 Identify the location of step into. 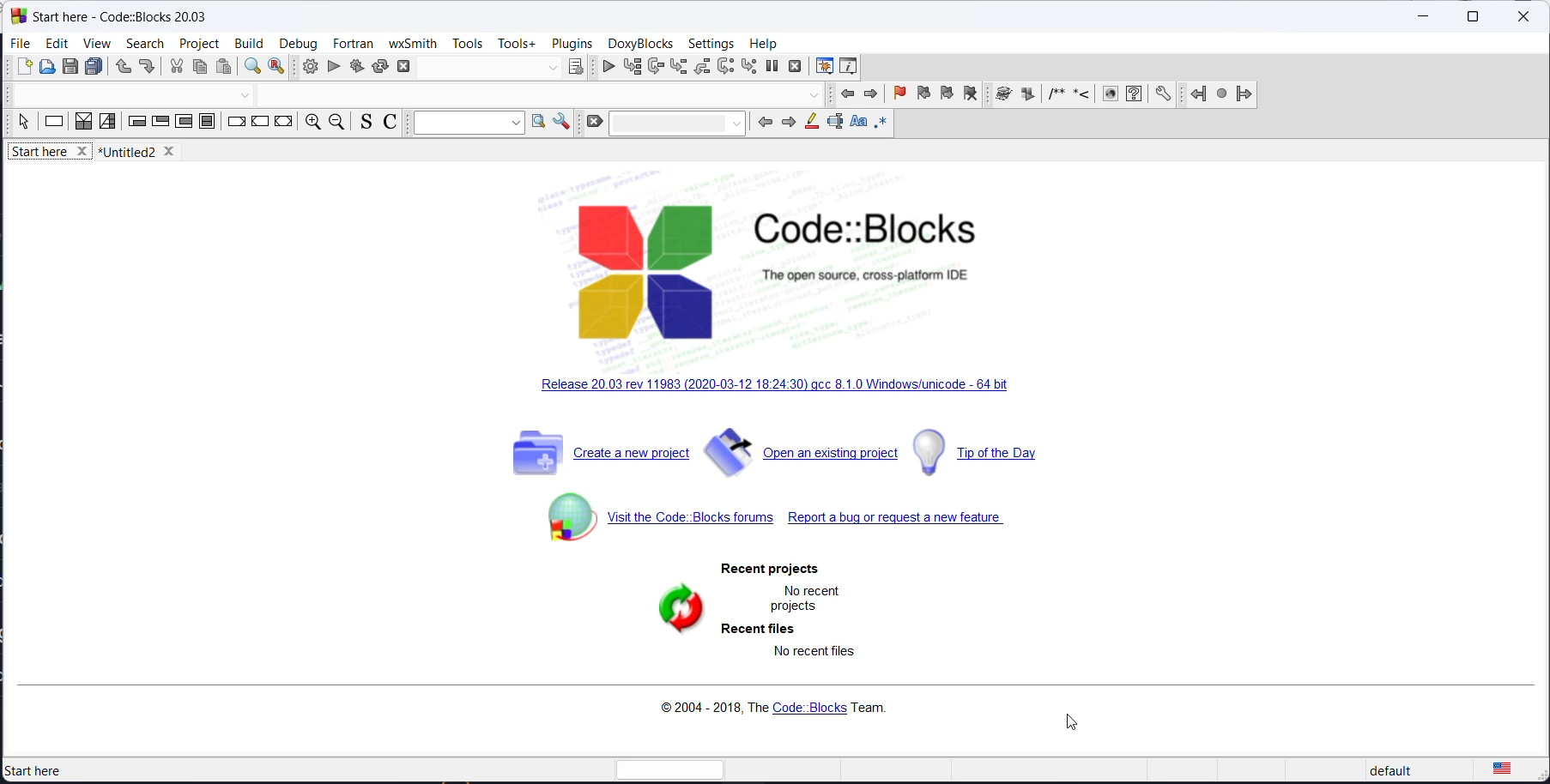
(680, 68).